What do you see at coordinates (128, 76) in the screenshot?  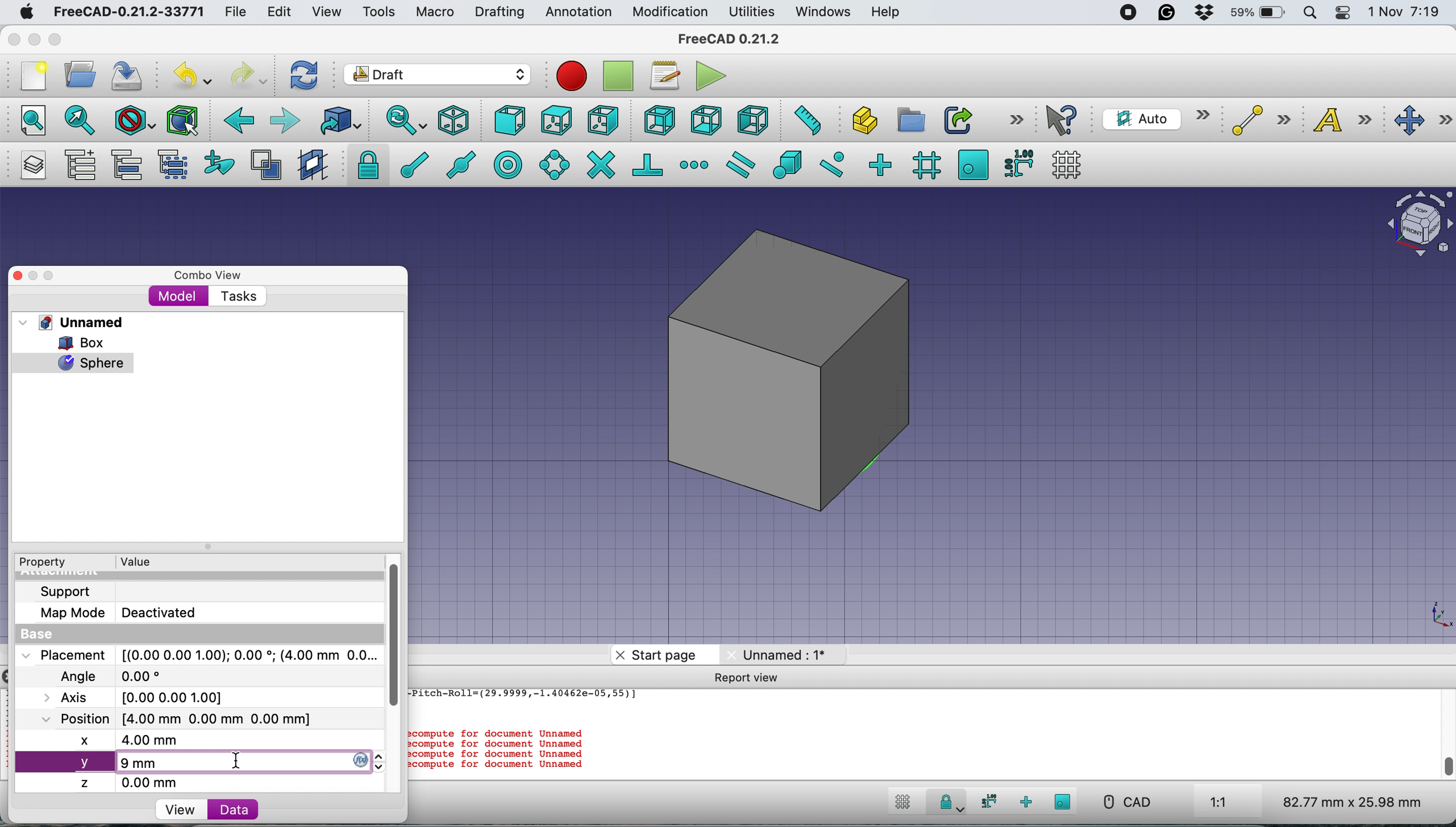 I see `save` at bounding box center [128, 76].